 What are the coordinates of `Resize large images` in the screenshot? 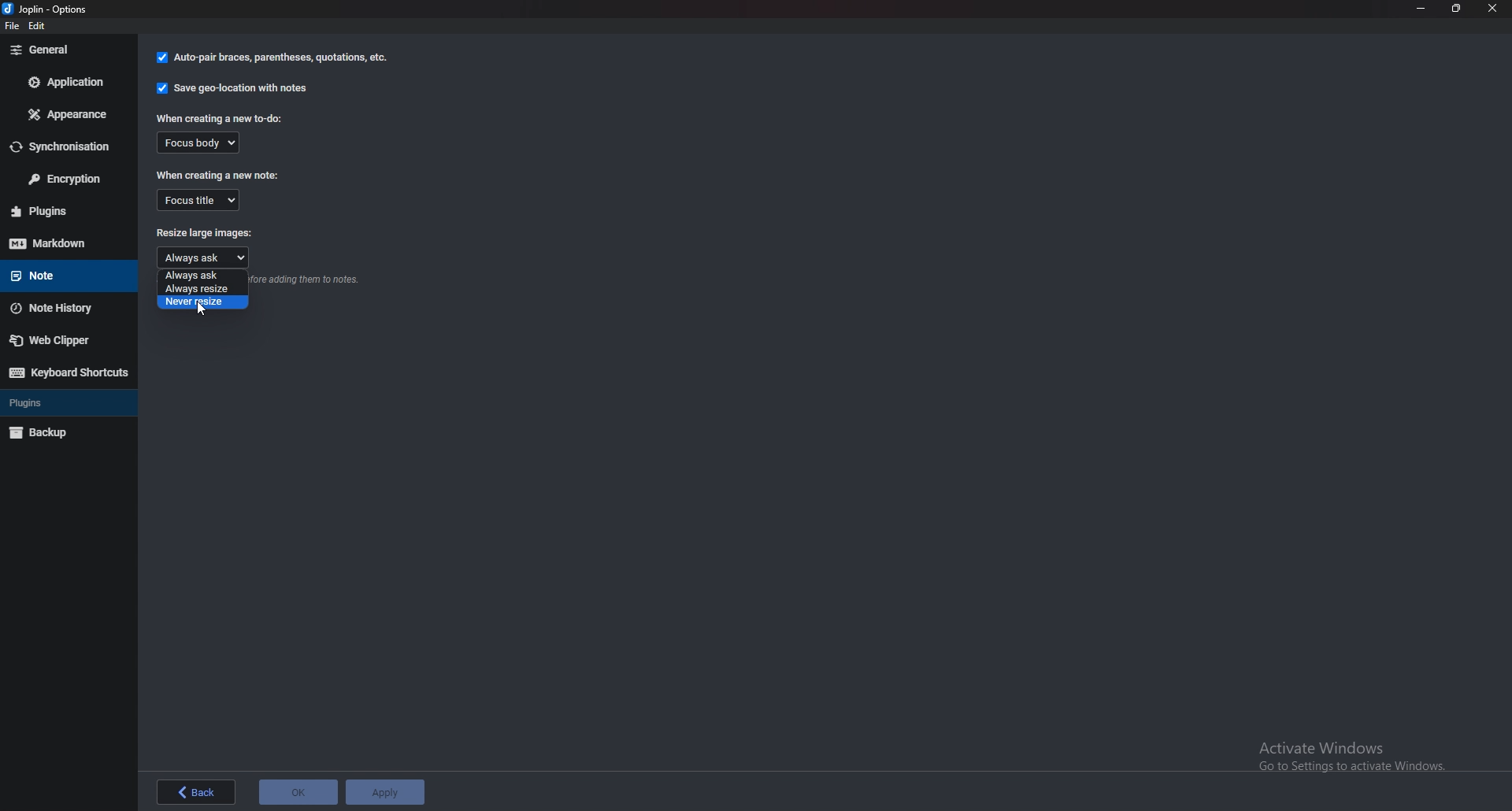 It's located at (206, 234).